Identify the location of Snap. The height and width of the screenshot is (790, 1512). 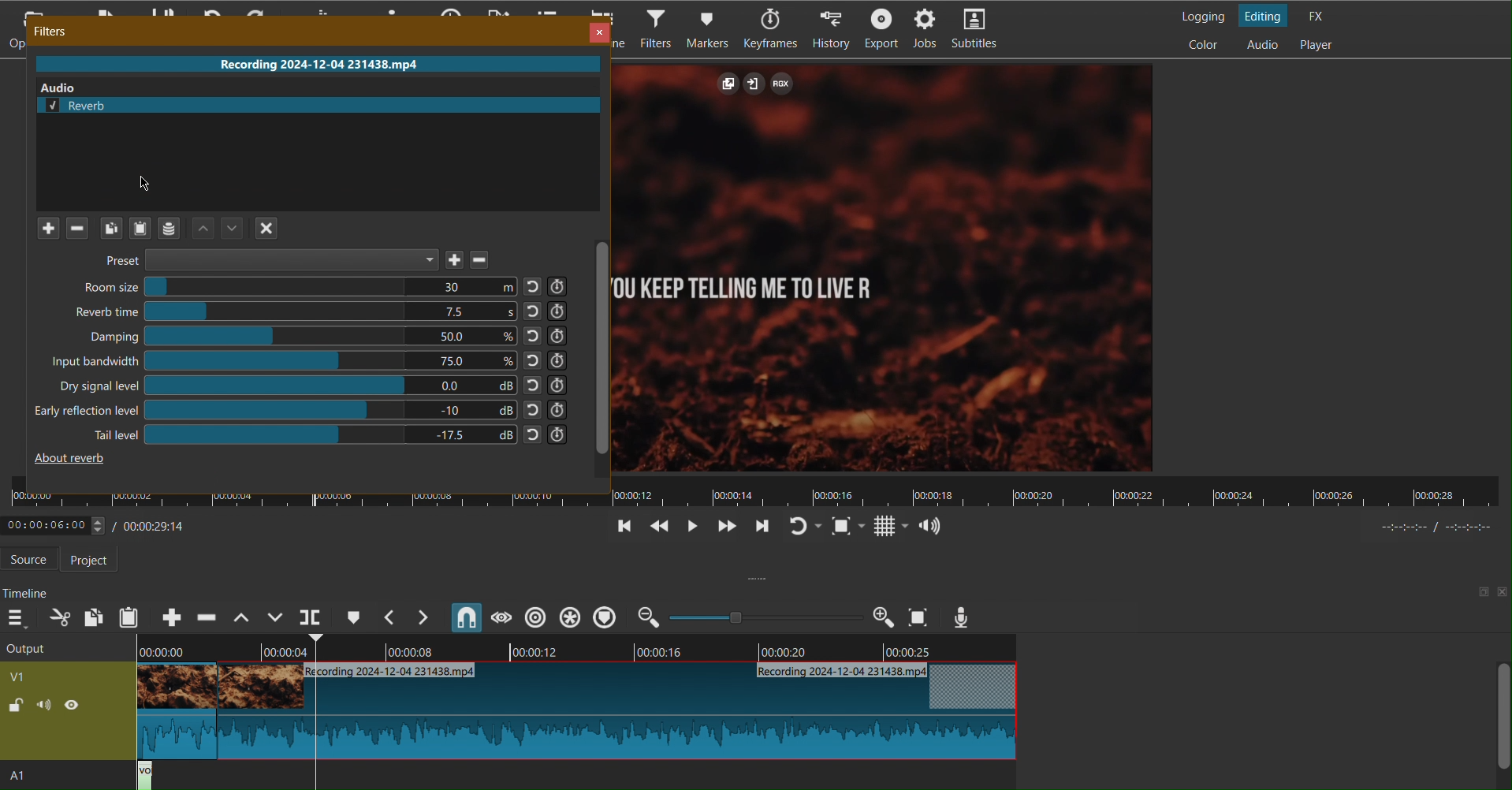
(467, 617).